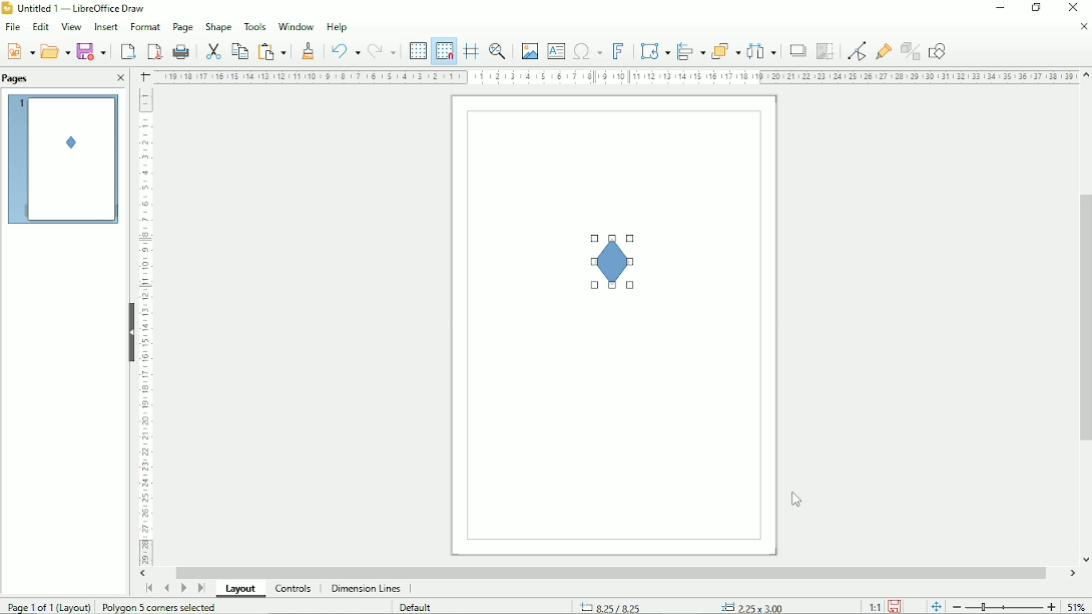 The height and width of the screenshot is (614, 1092). What do you see at coordinates (762, 51) in the screenshot?
I see `Distribute` at bounding box center [762, 51].